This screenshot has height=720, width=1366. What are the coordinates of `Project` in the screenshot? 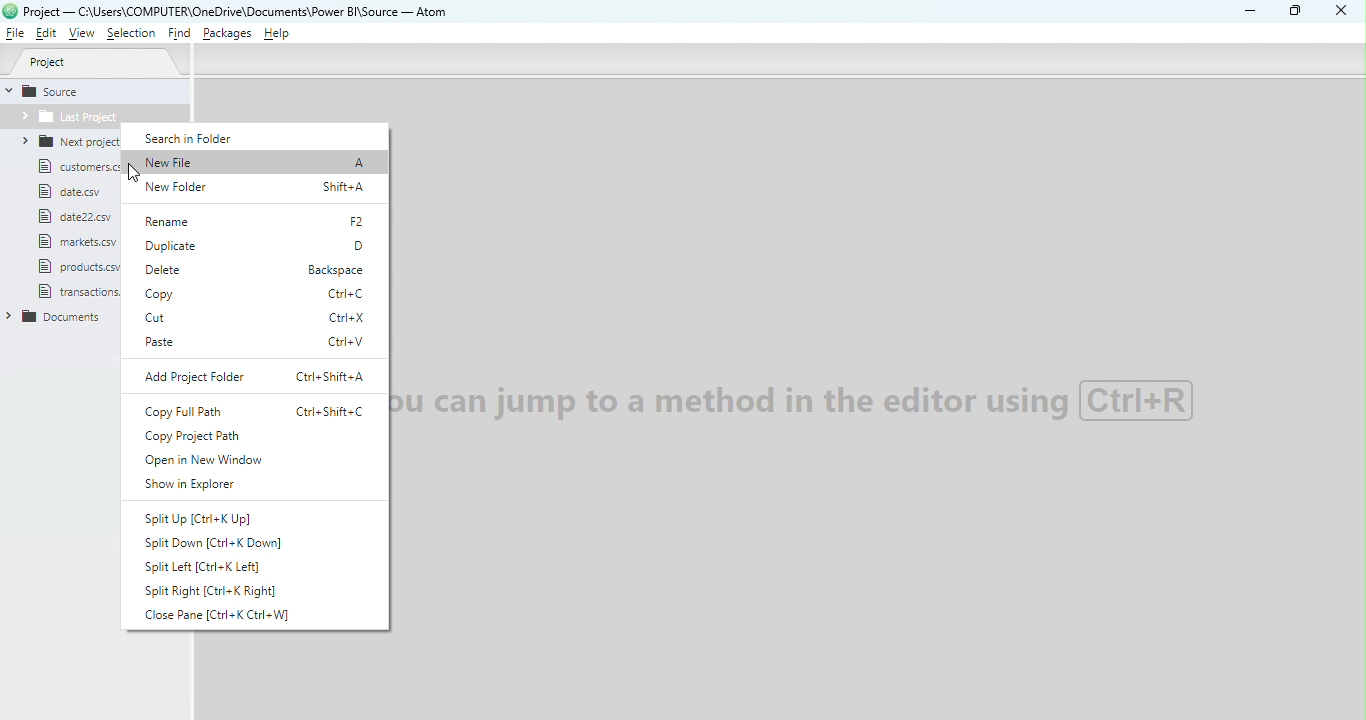 It's located at (94, 62).